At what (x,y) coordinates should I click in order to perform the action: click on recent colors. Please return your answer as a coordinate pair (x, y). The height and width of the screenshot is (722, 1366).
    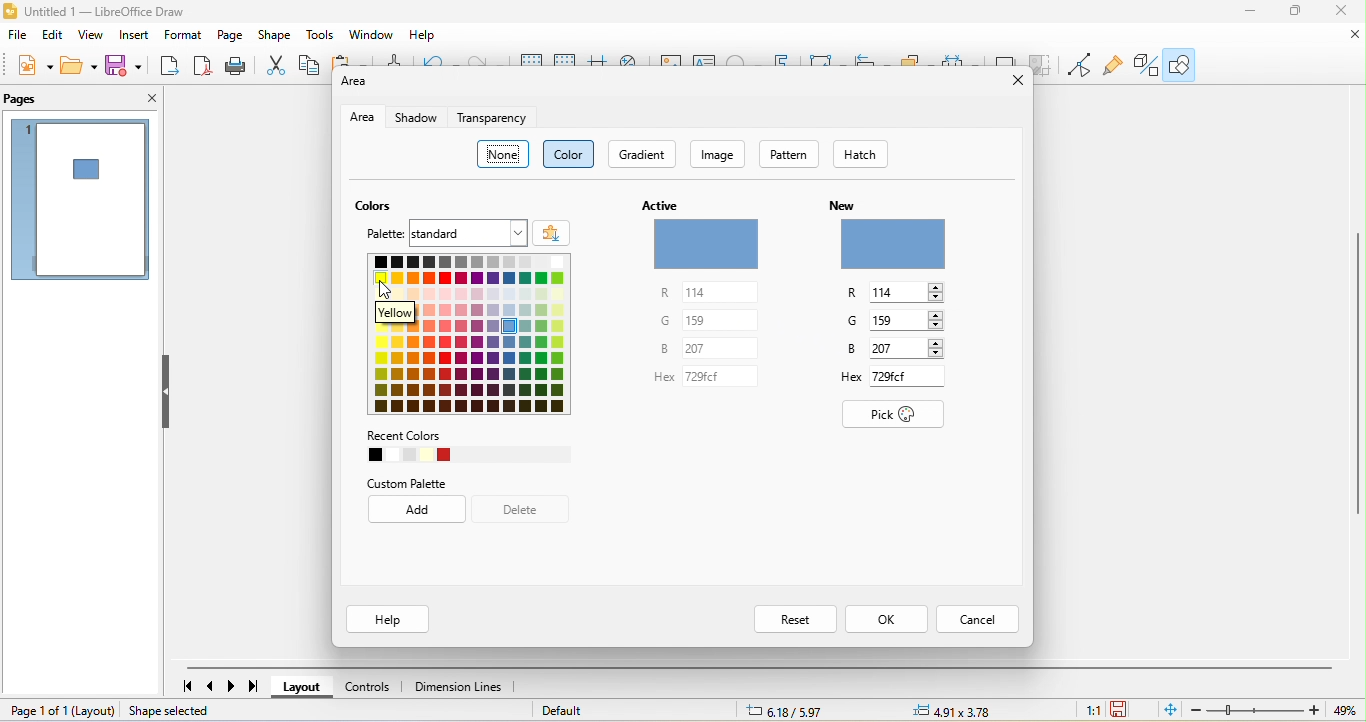
    Looking at the image, I should click on (467, 447).